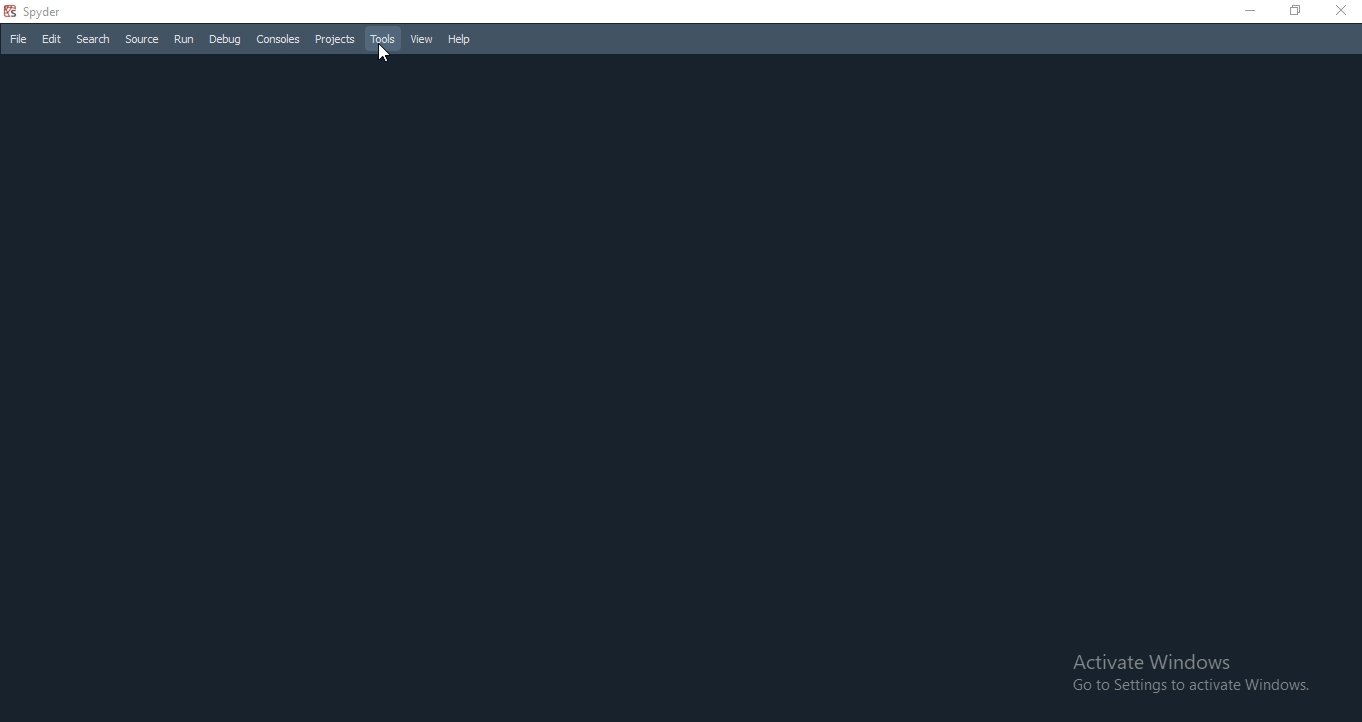  What do you see at coordinates (184, 40) in the screenshot?
I see `Run` at bounding box center [184, 40].